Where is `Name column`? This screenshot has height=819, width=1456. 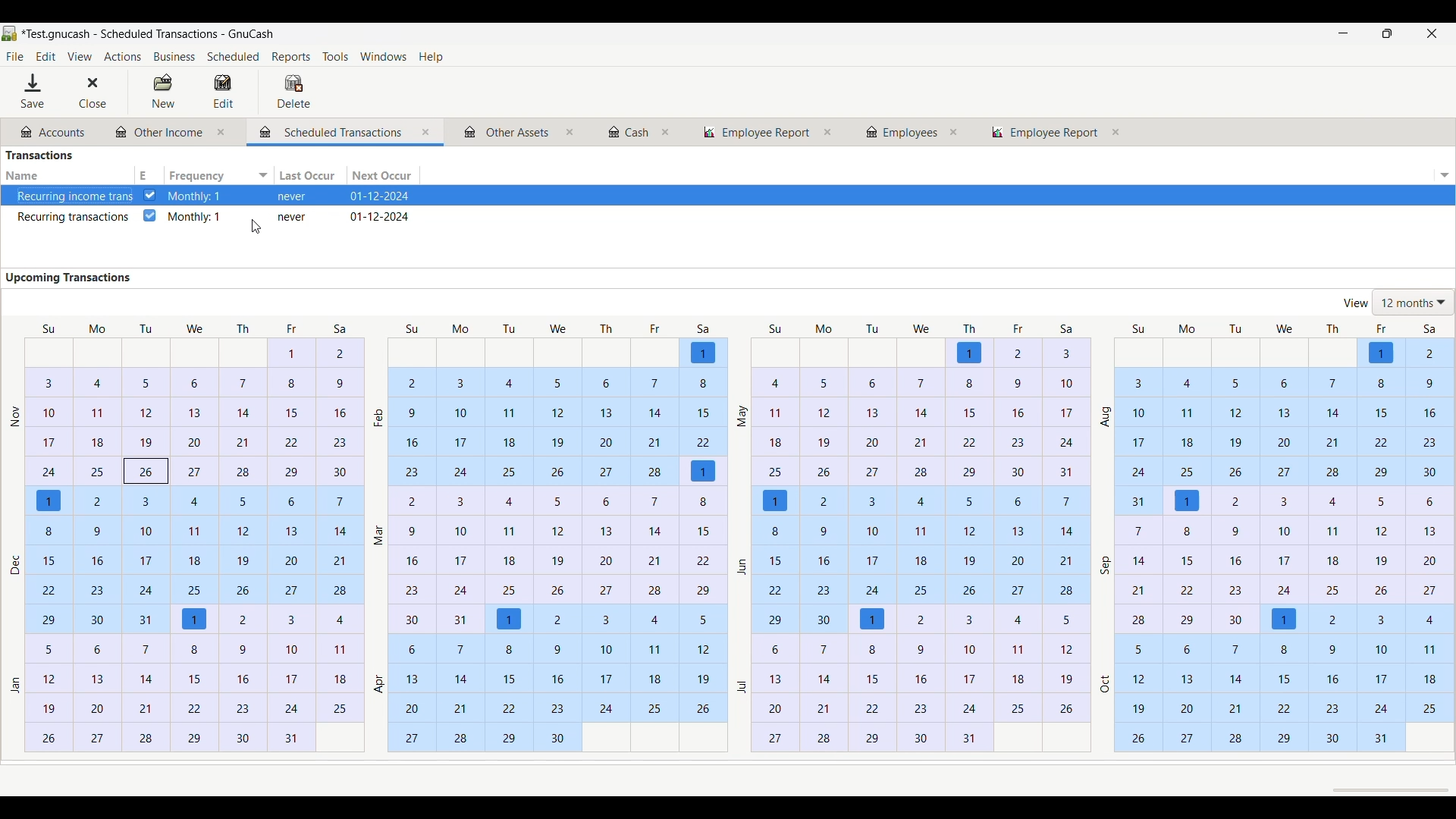
Name column is located at coordinates (64, 175).